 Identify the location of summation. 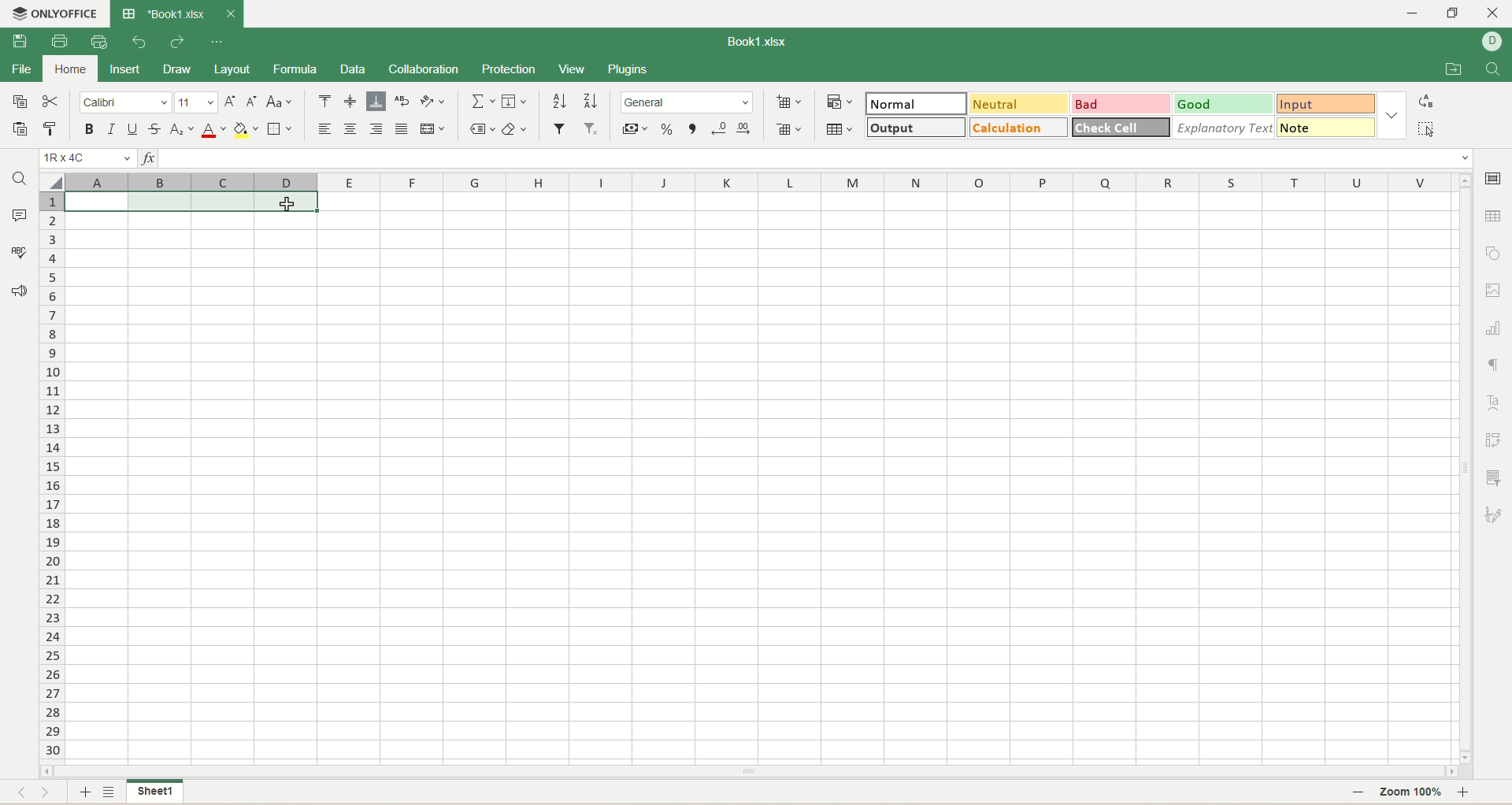
(484, 100).